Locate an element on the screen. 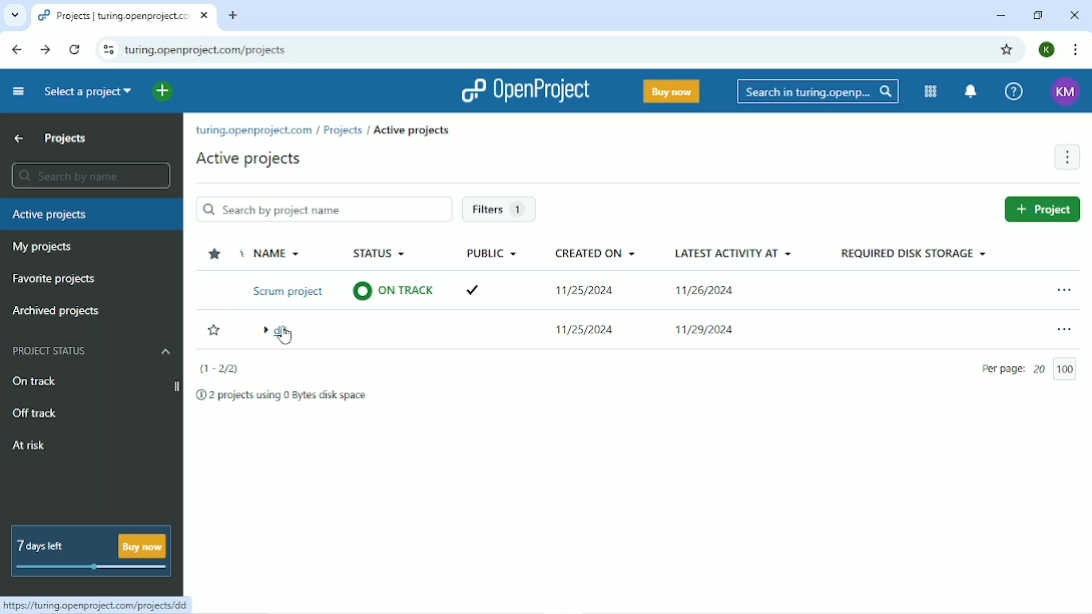 The image size is (1092, 614). Active projects is located at coordinates (250, 161).